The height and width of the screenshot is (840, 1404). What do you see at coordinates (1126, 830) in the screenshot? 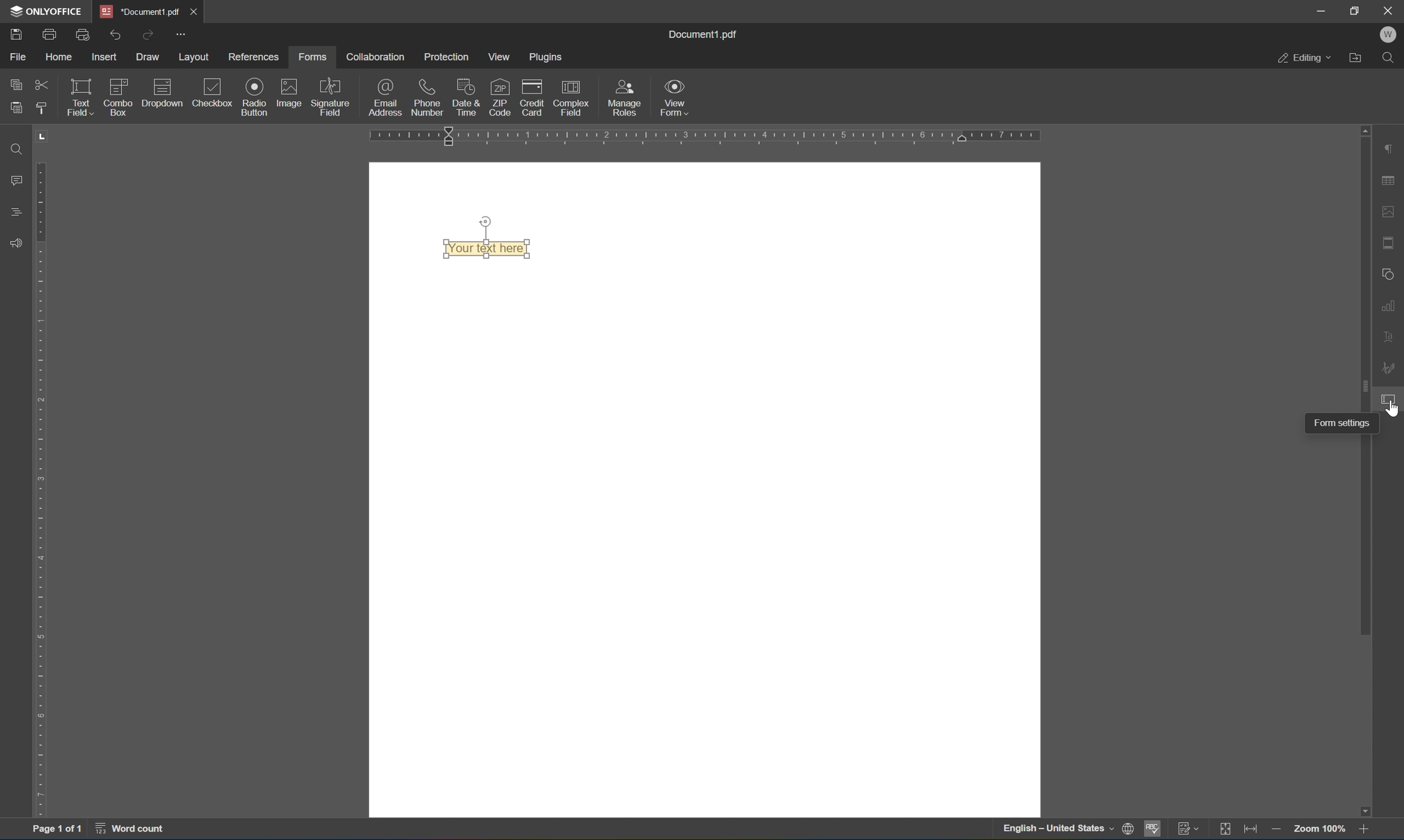
I see `set document language` at bounding box center [1126, 830].